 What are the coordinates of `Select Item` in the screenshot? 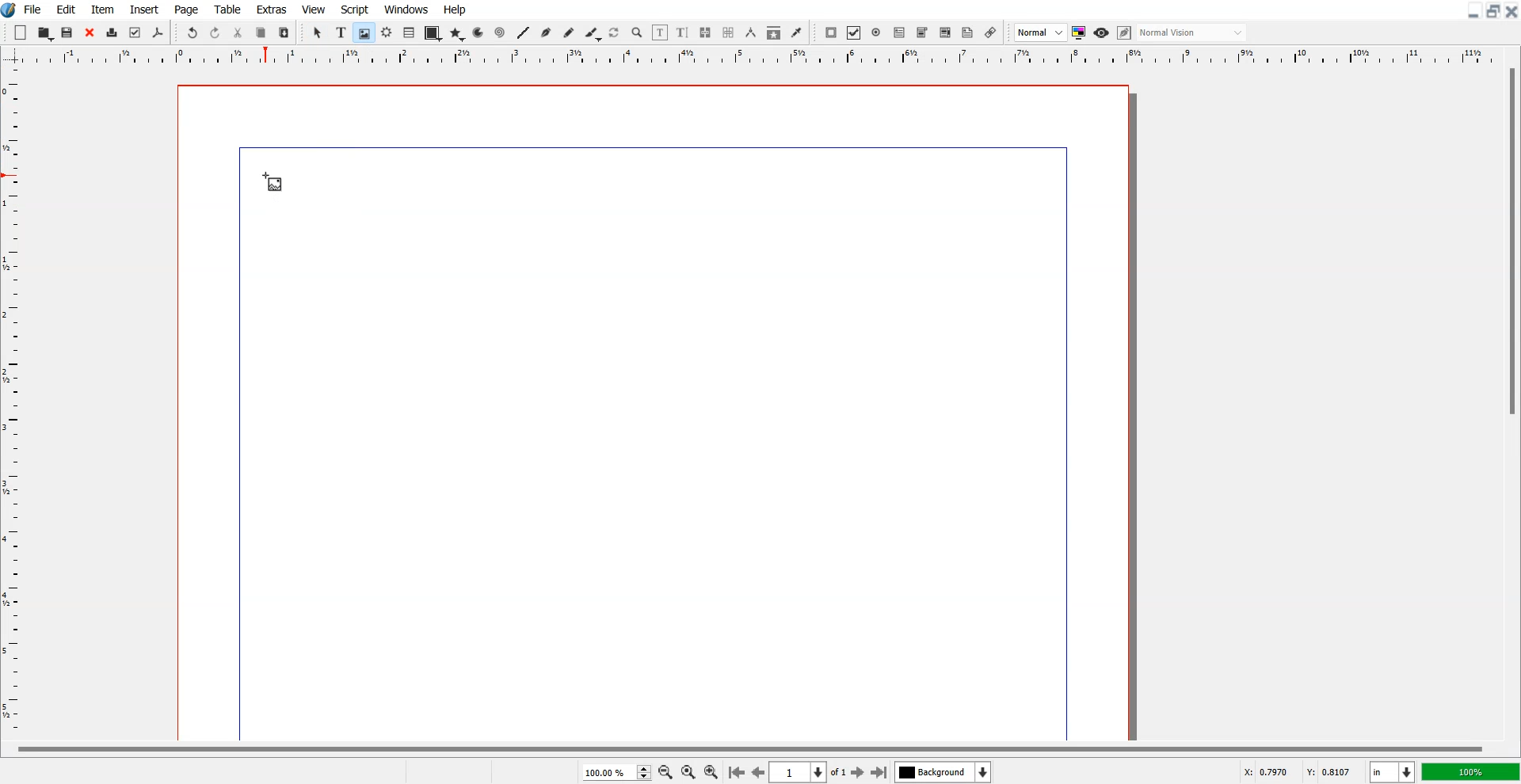 It's located at (318, 33).